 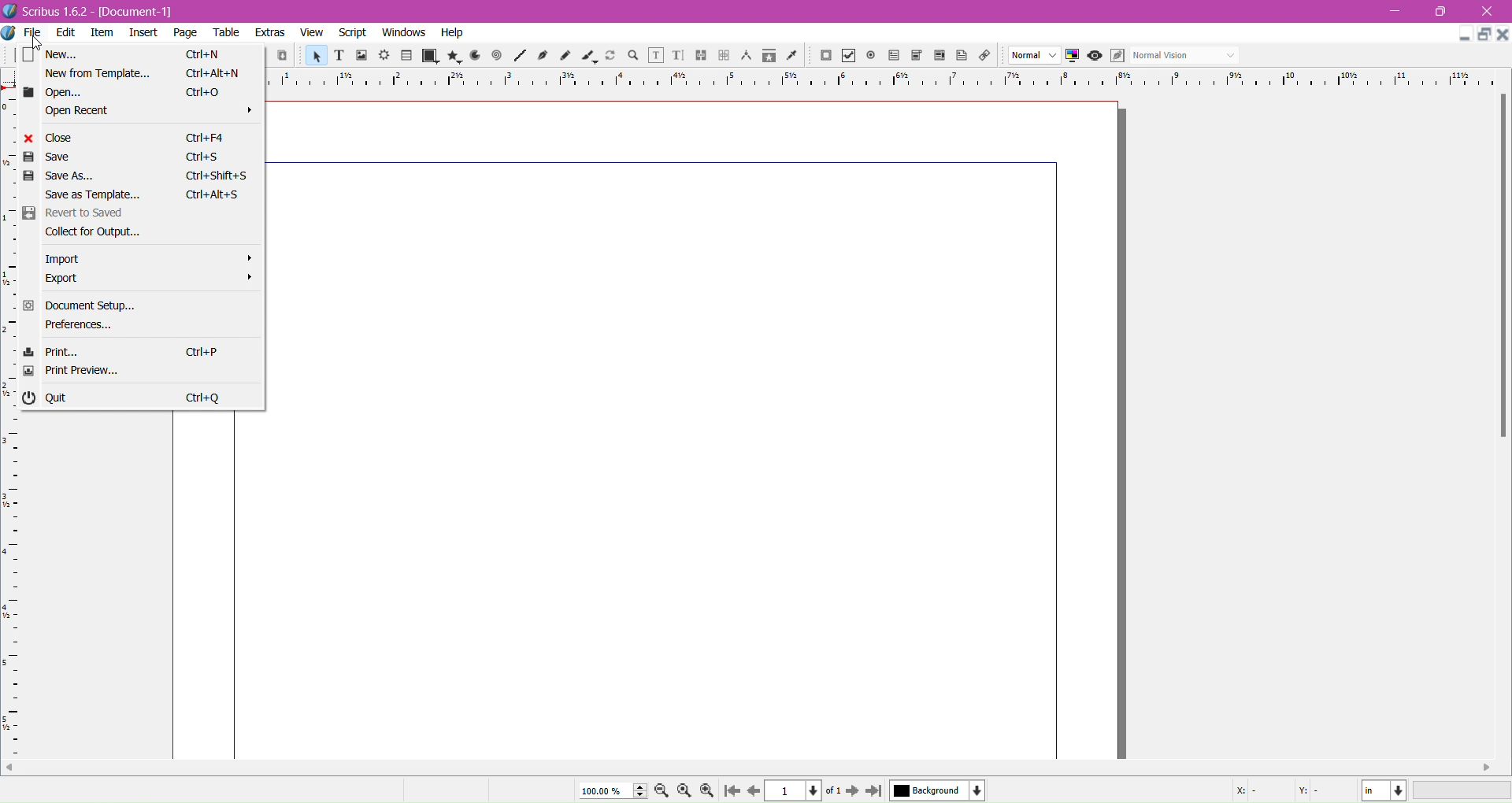 What do you see at coordinates (119, 157) in the screenshot?
I see `Save` at bounding box center [119, 157].